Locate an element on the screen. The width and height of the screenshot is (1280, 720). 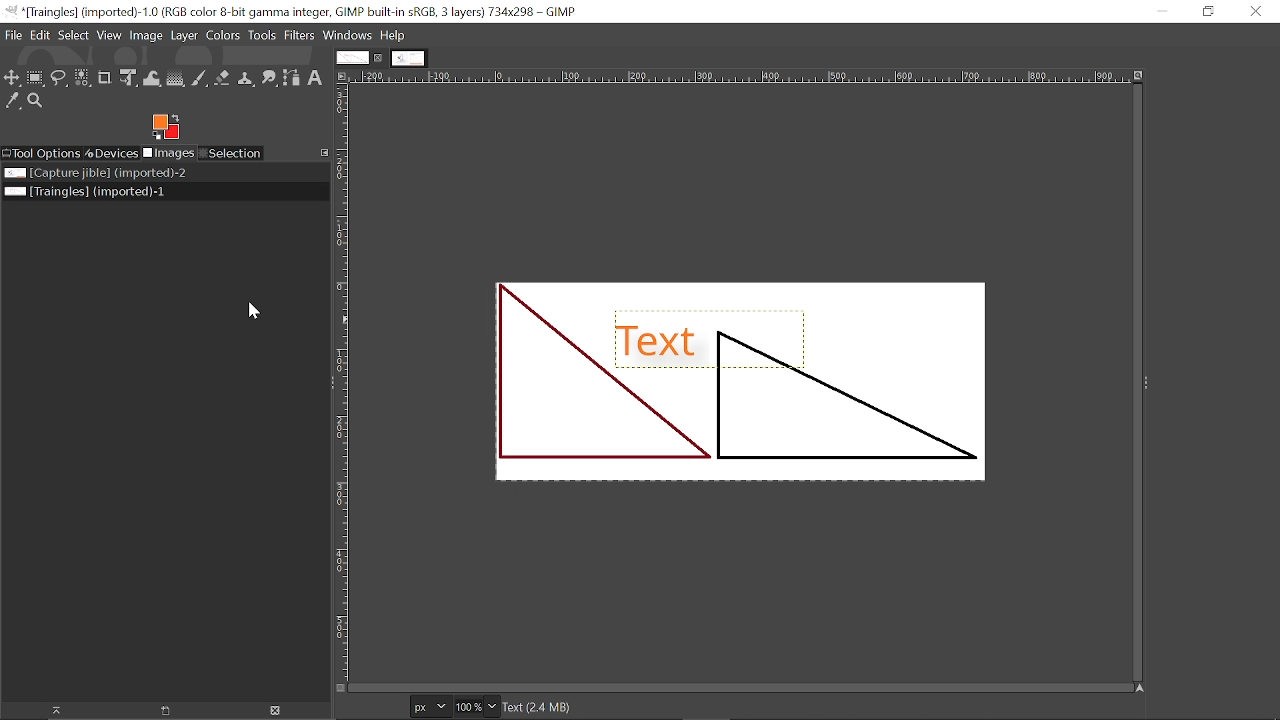
Navigate this window is located at coordinates (1138, 689).